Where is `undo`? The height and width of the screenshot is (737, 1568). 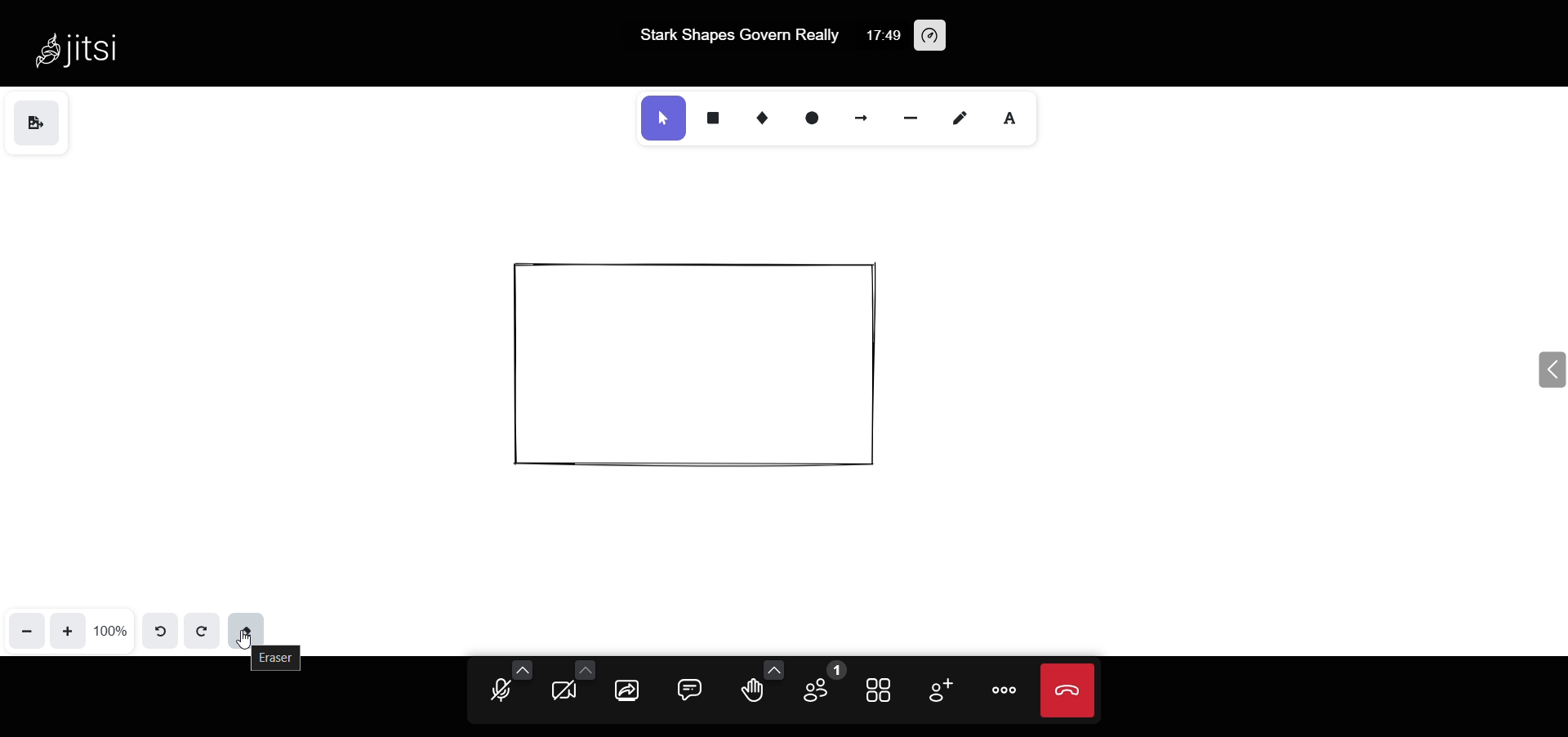 undo is located at coordinates (160, 630).